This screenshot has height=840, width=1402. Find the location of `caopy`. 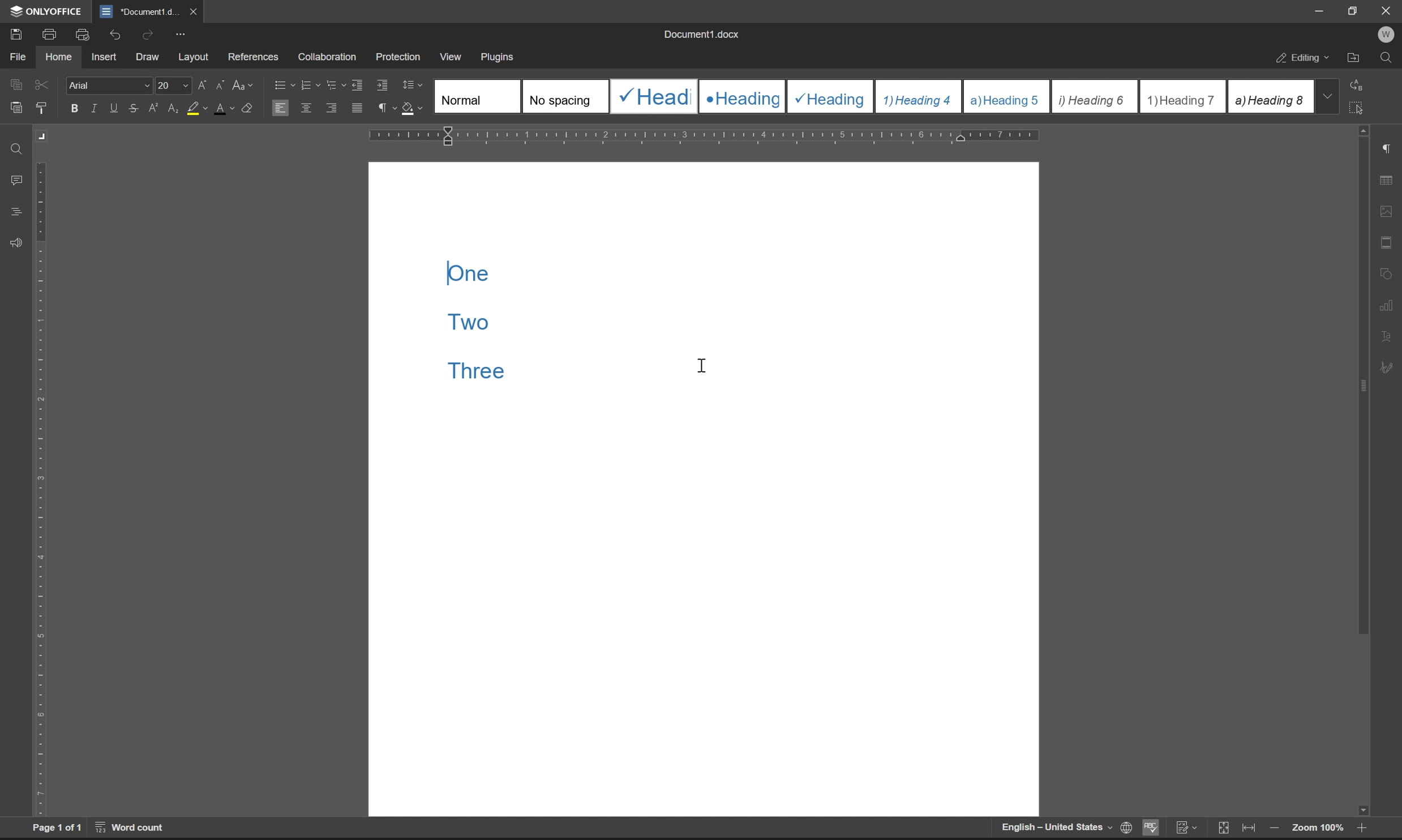

caopy is located at coordinates (14, 87).